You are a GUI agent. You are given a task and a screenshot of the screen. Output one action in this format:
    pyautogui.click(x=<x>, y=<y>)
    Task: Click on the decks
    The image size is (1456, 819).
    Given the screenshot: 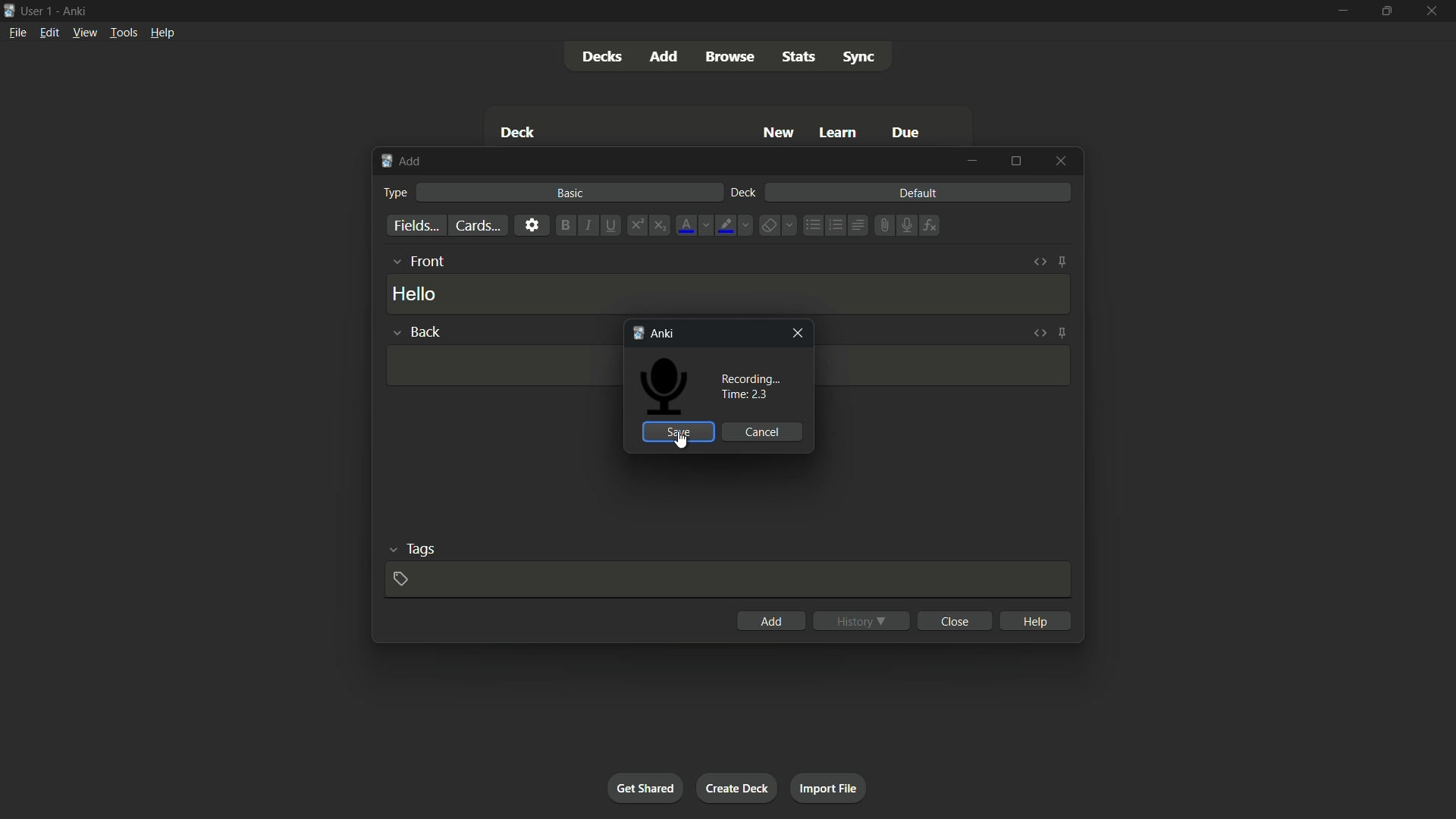 What is the action you would take?
    pyautogui.click(x=603, y=58)
    